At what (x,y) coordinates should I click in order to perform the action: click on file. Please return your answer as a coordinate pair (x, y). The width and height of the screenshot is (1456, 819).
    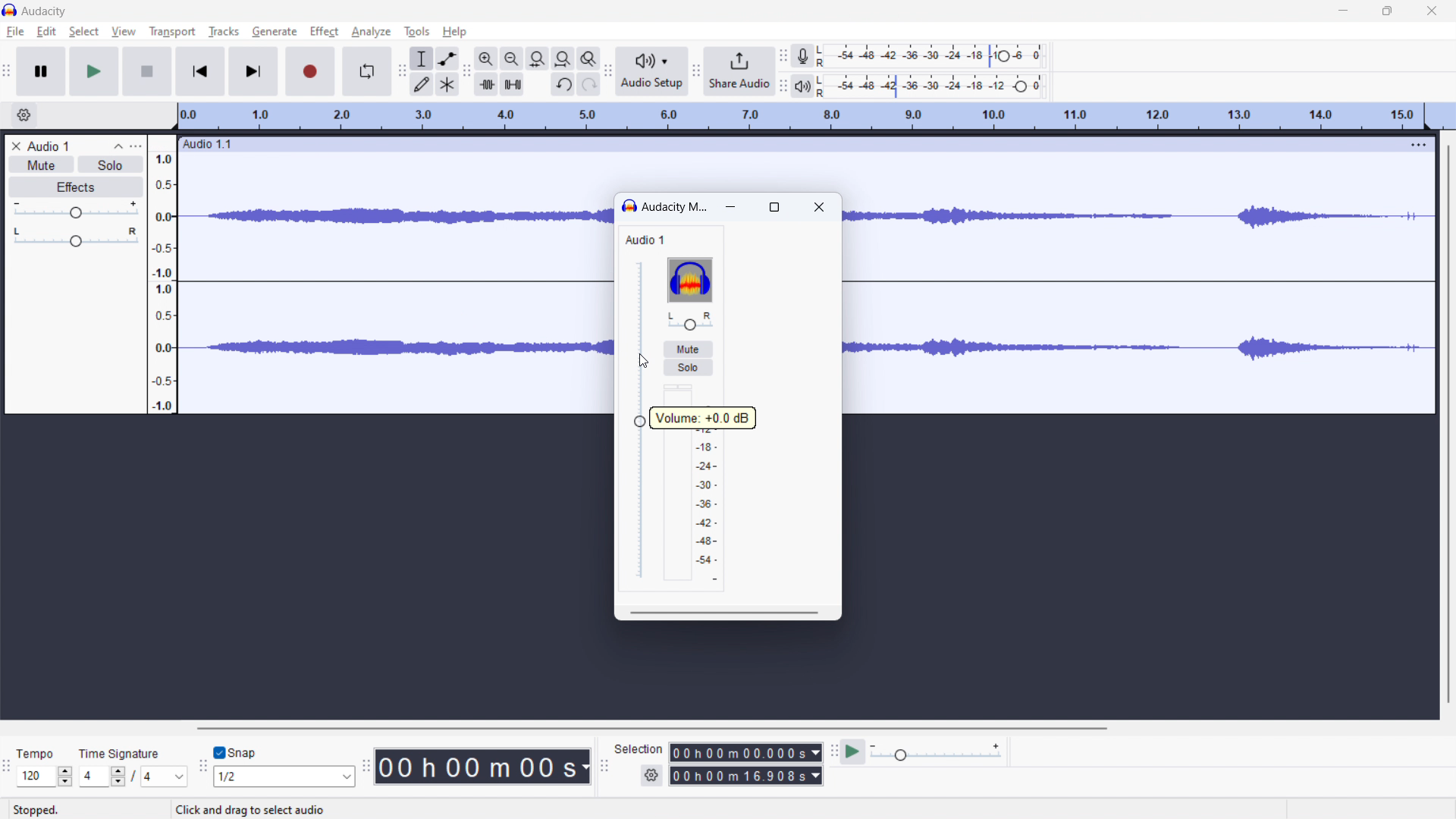
    Looking at the image, I should click on (16, 32).